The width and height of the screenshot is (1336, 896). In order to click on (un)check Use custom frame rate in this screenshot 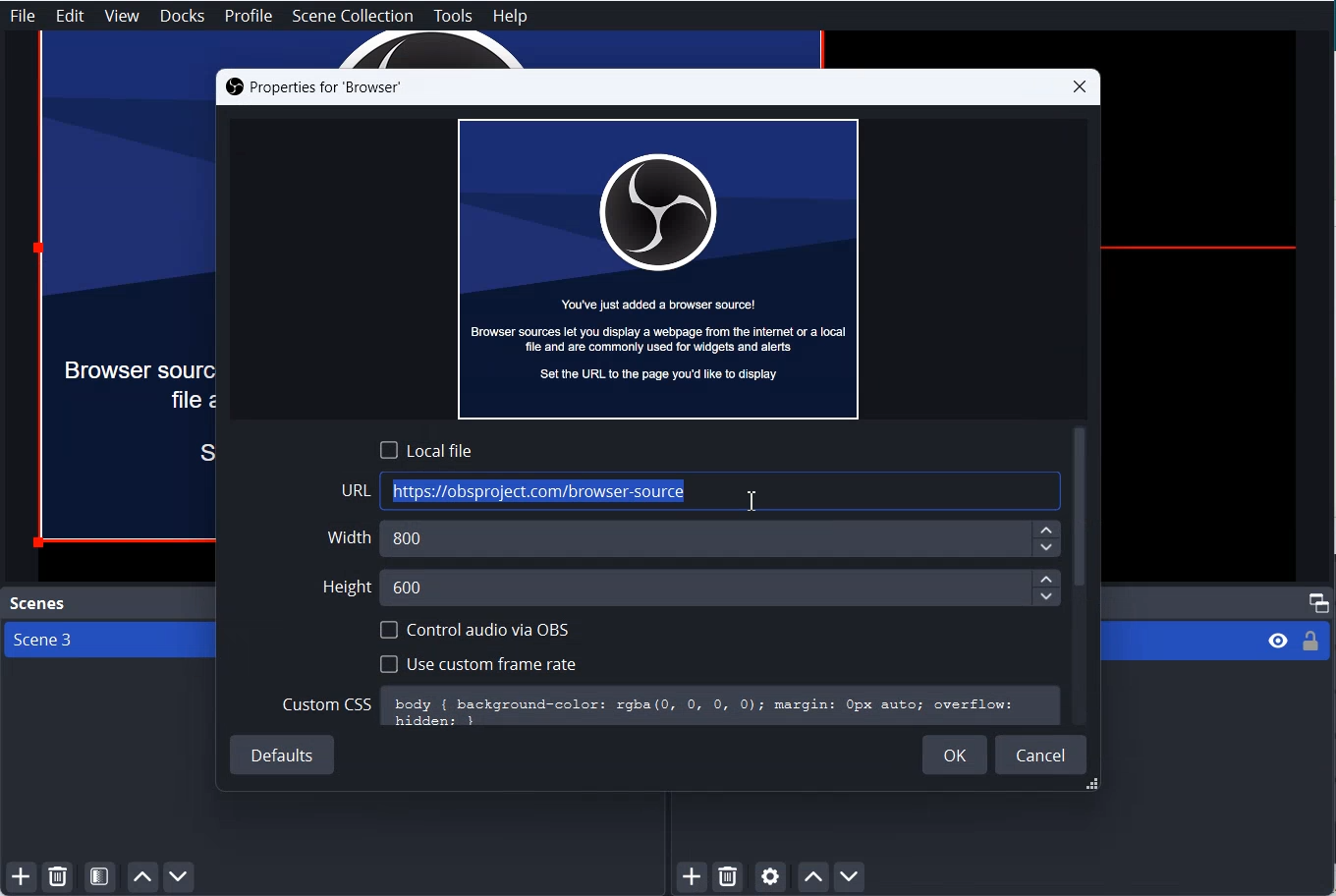, I will do `click(477, 662)`.